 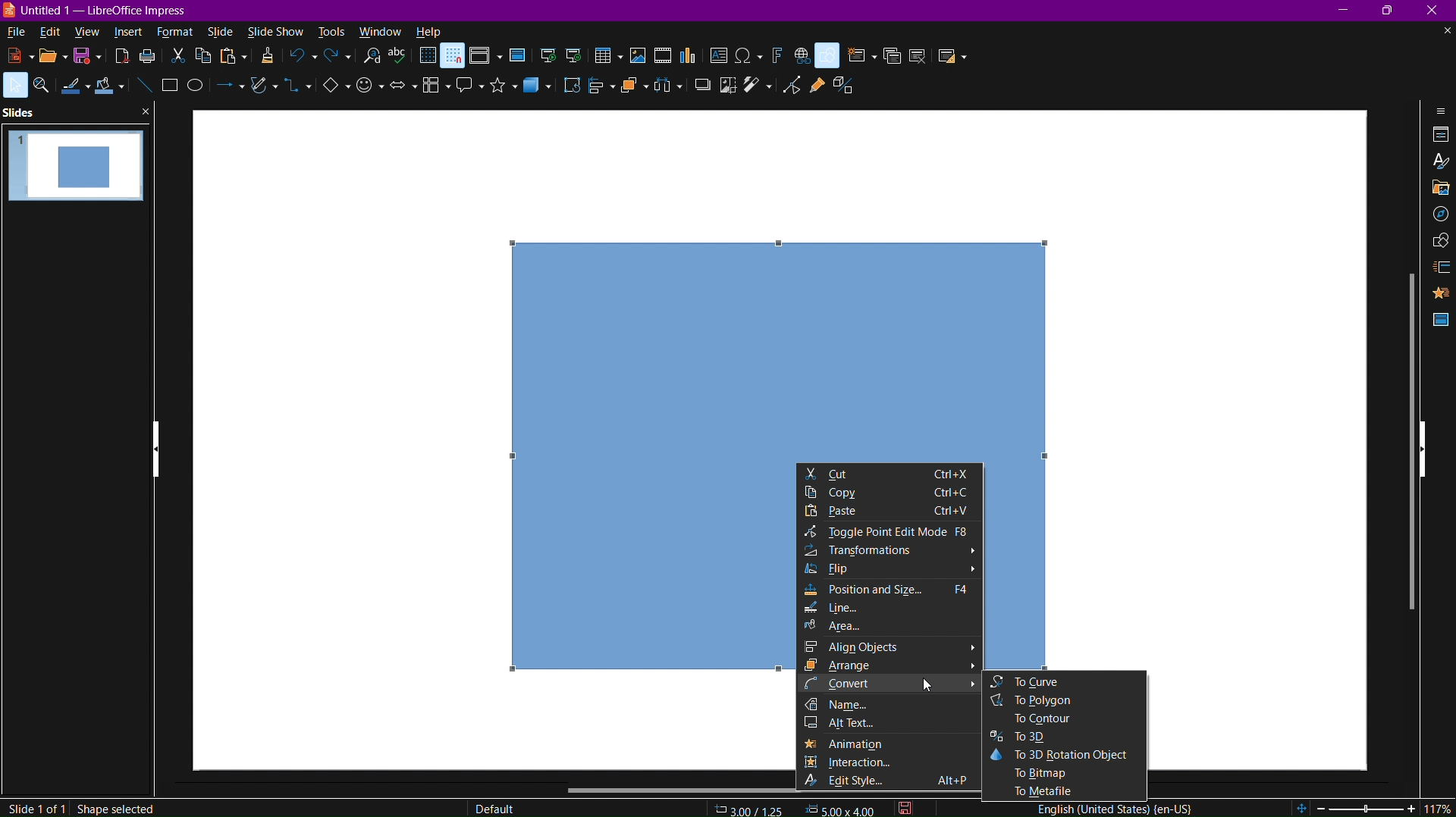 What do you see at coordinates (950, 55) in the screenshot?
I see `Slide Layout` at bounding box center [950, 55].